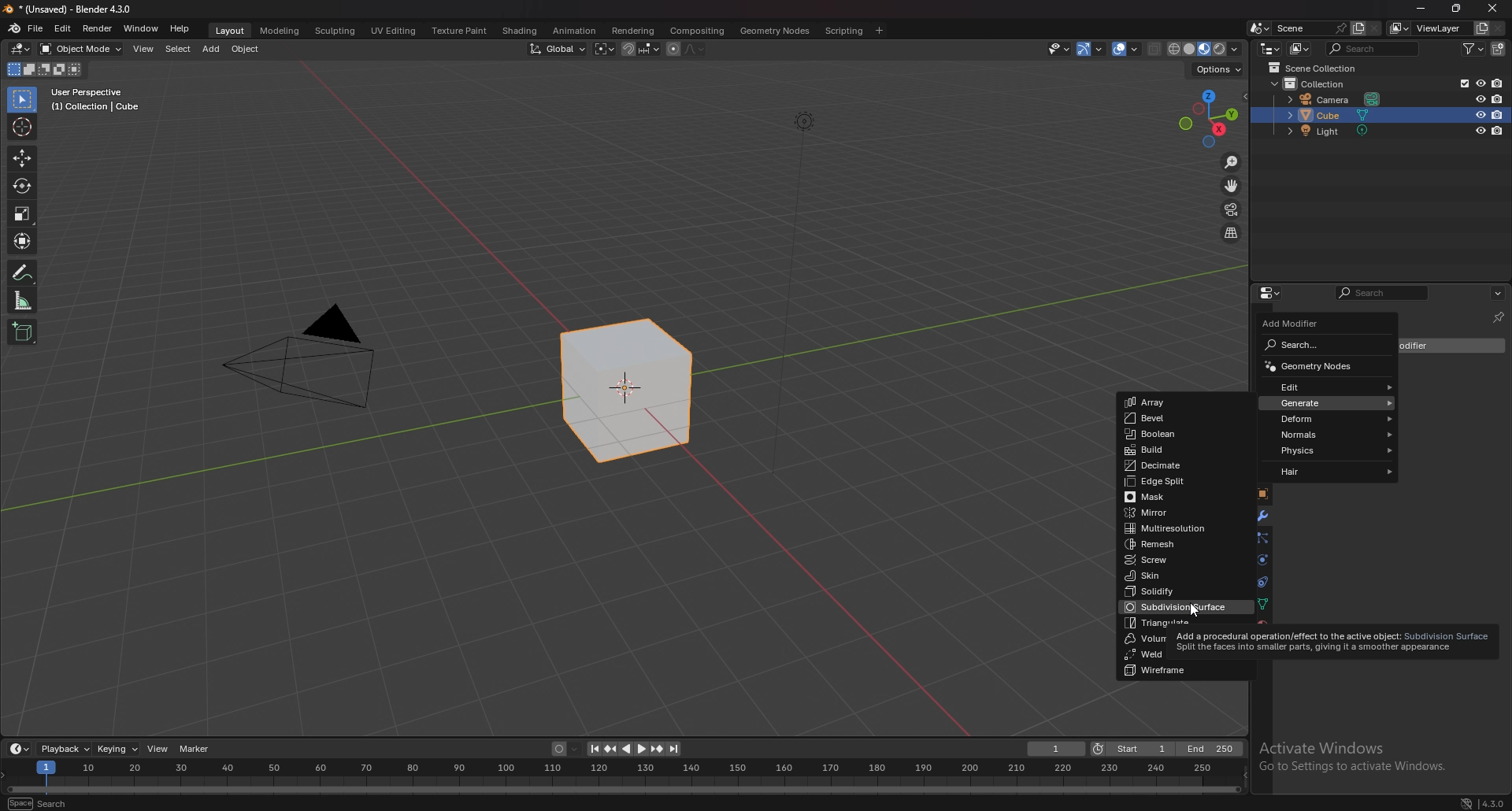  I want to click on mask, so click(1178, 498).